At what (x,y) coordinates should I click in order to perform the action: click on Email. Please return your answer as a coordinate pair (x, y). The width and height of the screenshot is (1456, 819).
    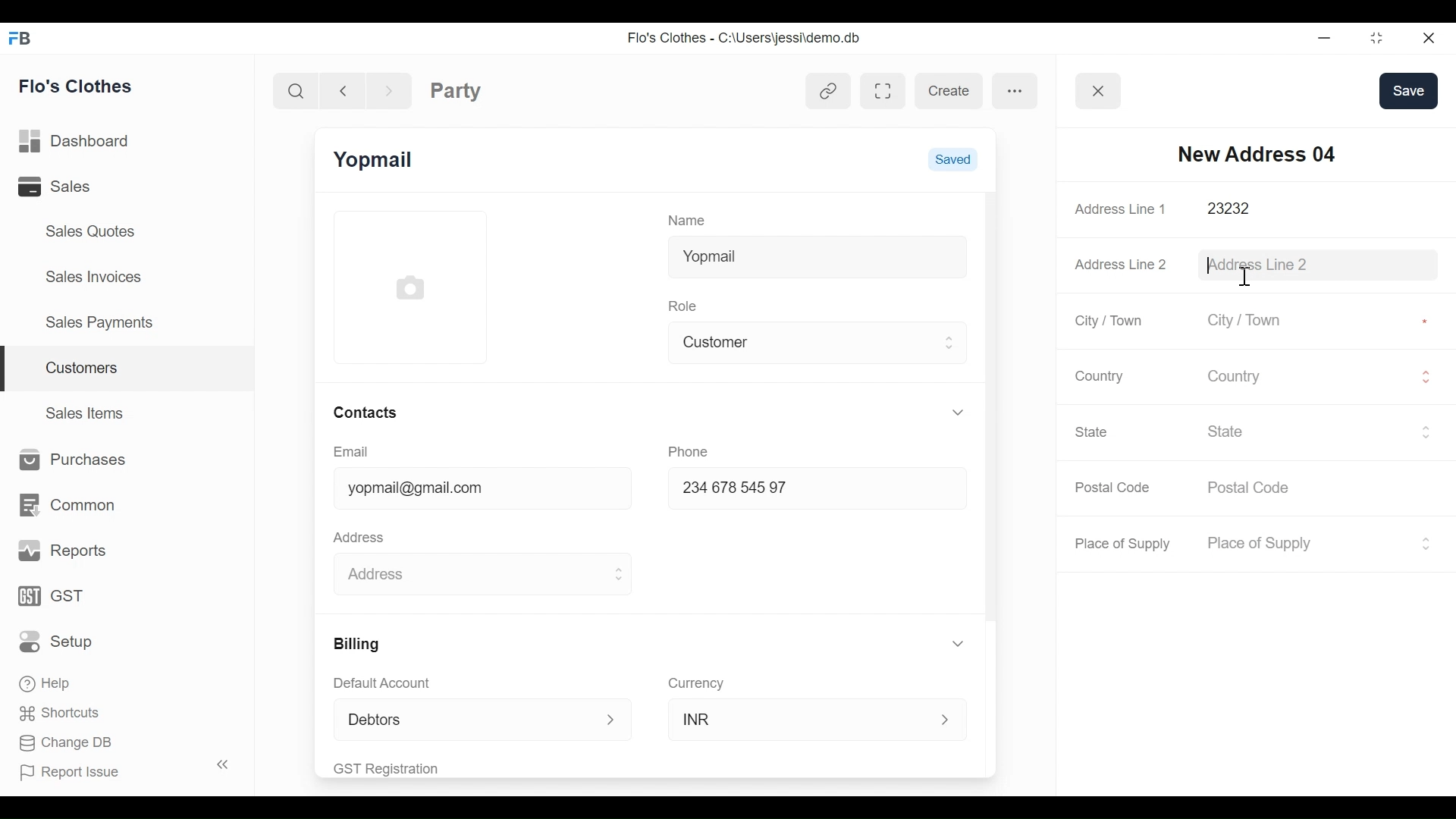
    Looking at the image, I should click on (352, 452).